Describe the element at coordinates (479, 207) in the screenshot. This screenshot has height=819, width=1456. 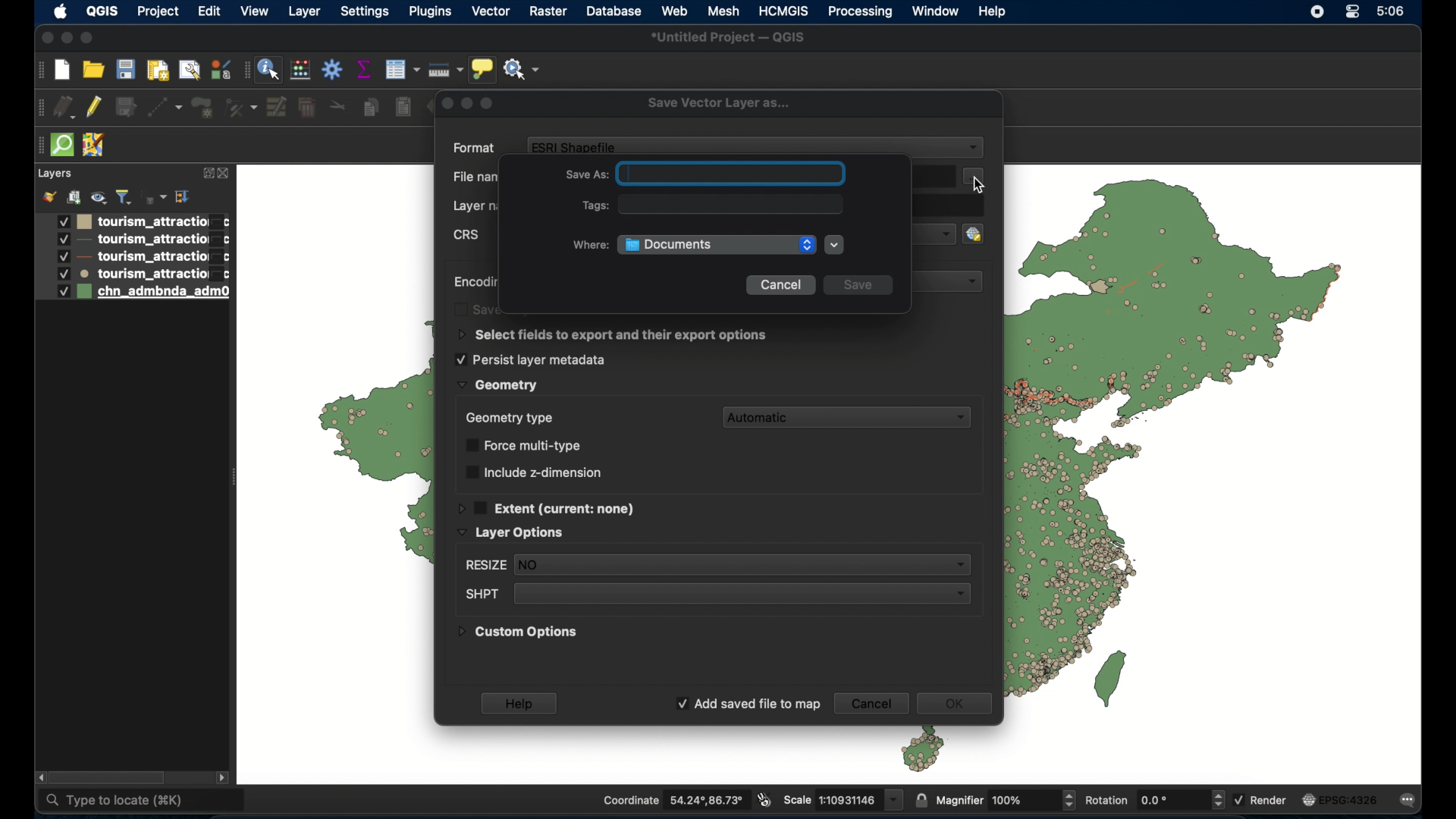
I see `layer name` at that location.